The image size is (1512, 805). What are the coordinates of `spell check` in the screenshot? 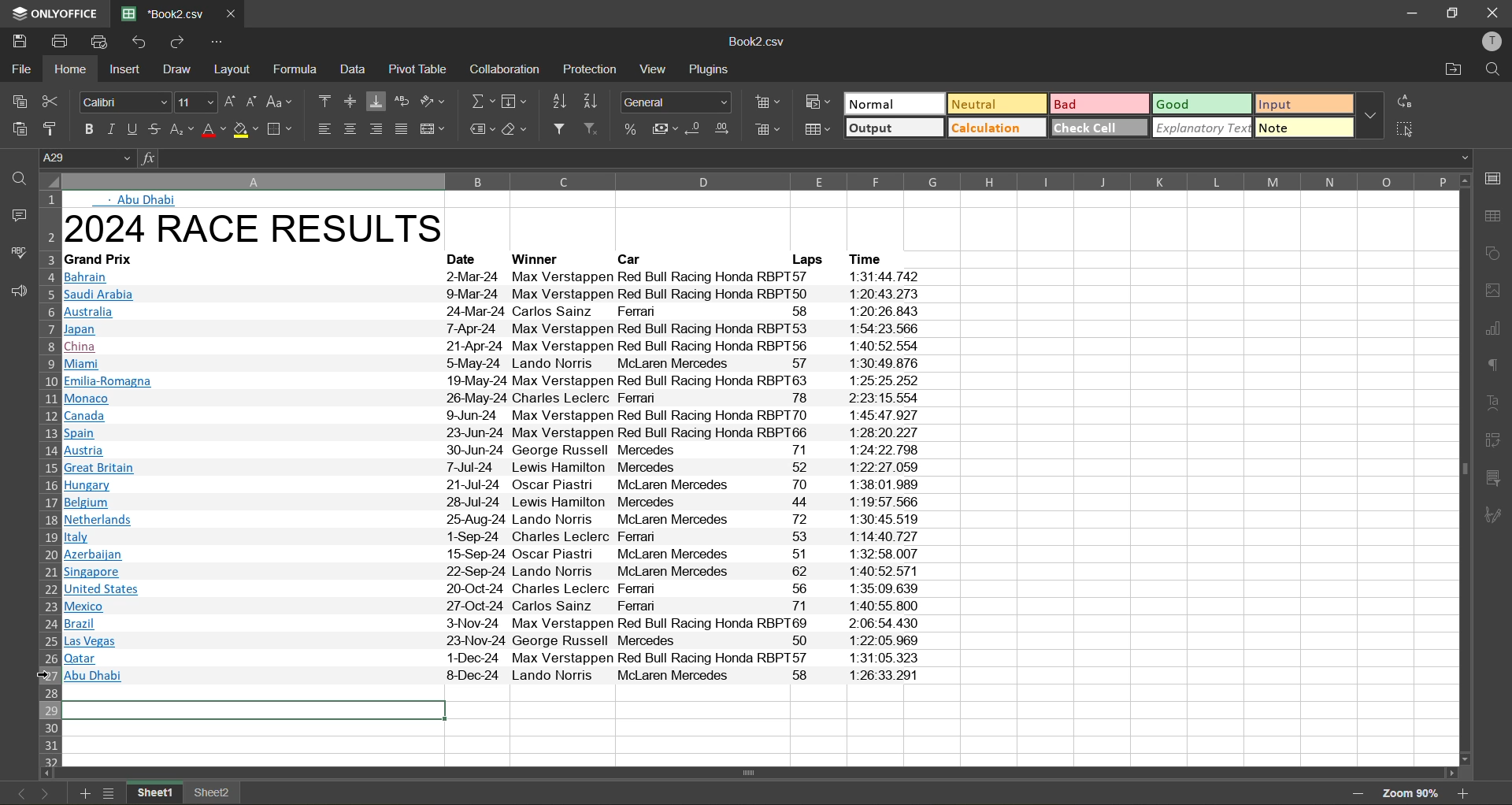 It's located at (17, 250).